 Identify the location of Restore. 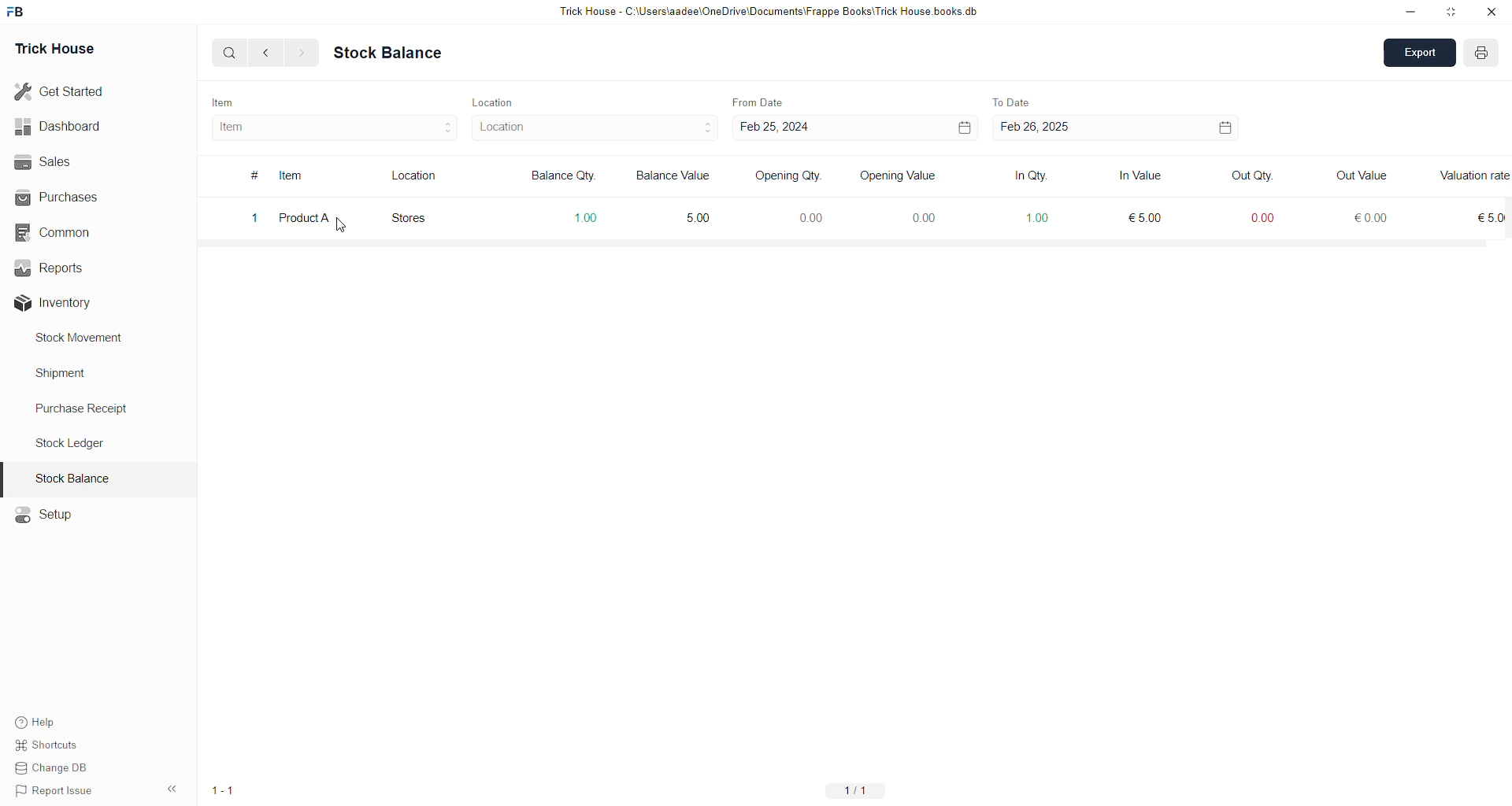
(1453, 13).